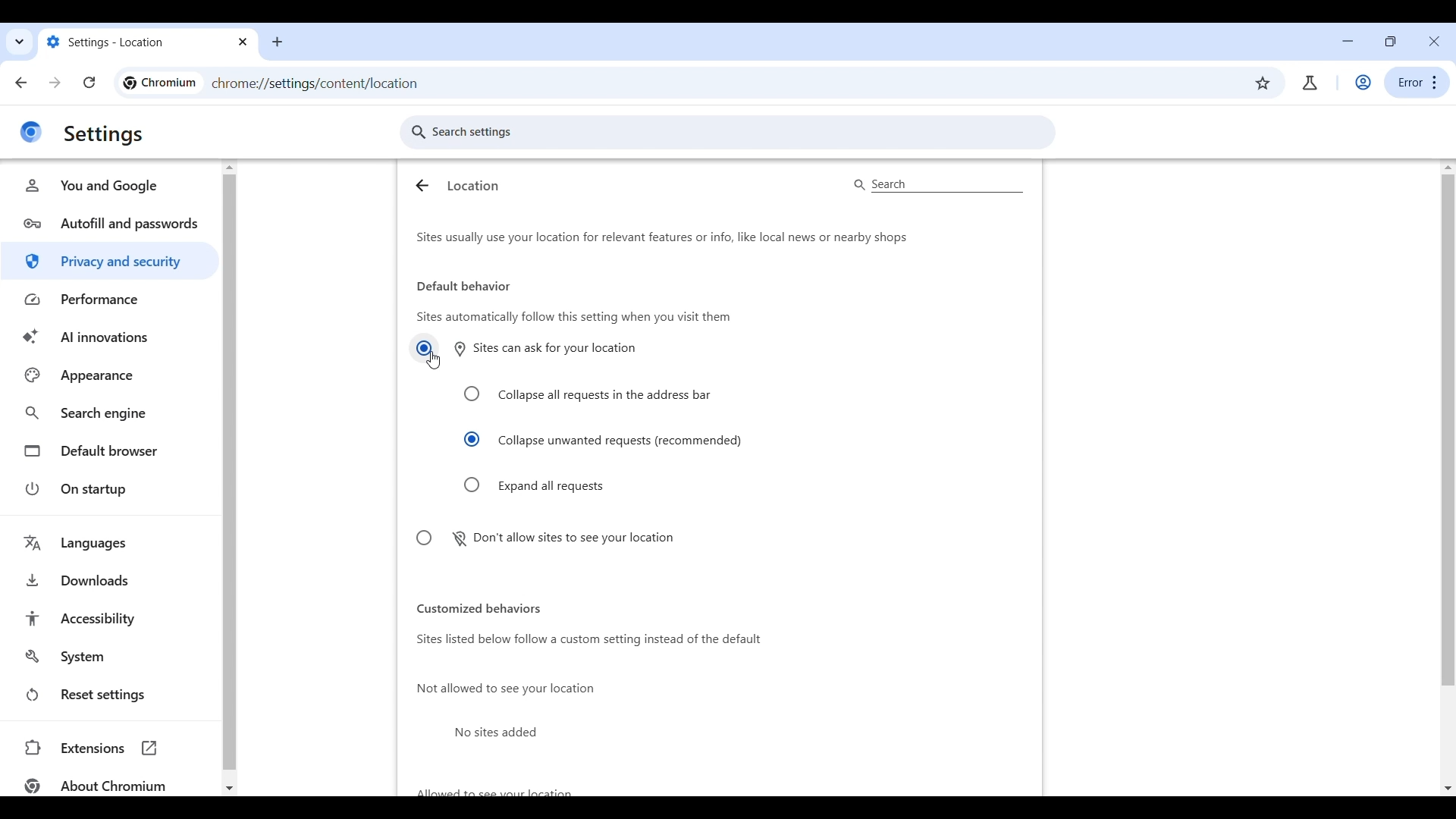 This screenshot has height=819, width=1456. What do you see at coordinates (105, 135) in the screenshot?
I see `settings ` at bounding box center [105, 135].